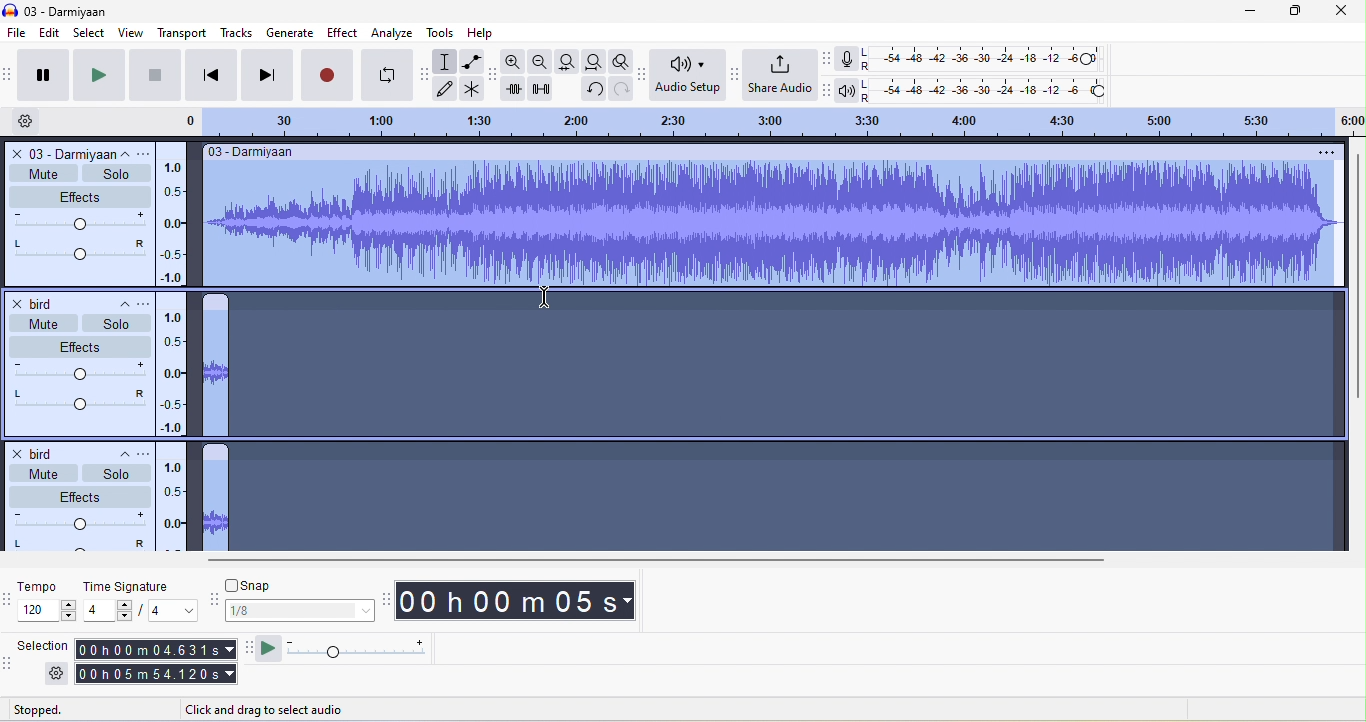 The width and height of the screenshot is (1366, 722). I want to click on snap, so click(301, 587).